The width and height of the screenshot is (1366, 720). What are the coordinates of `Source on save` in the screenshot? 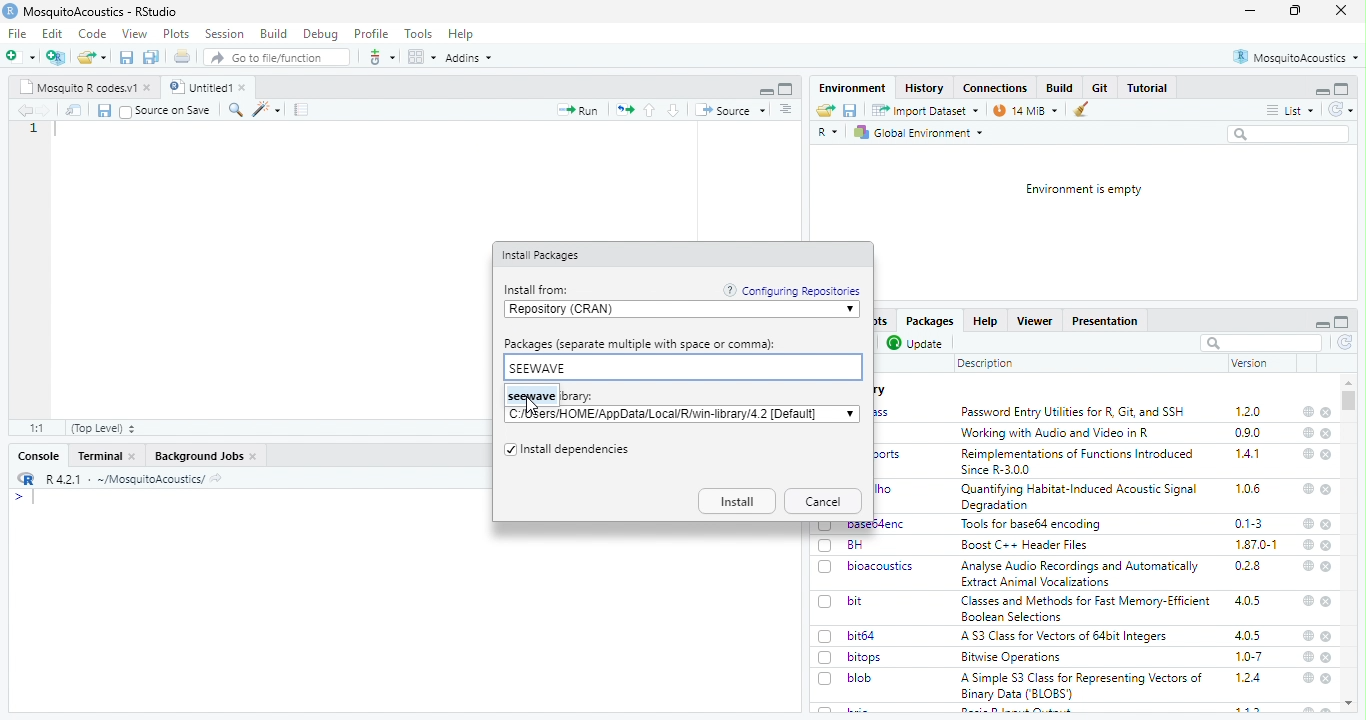 It's located at (175, 111).